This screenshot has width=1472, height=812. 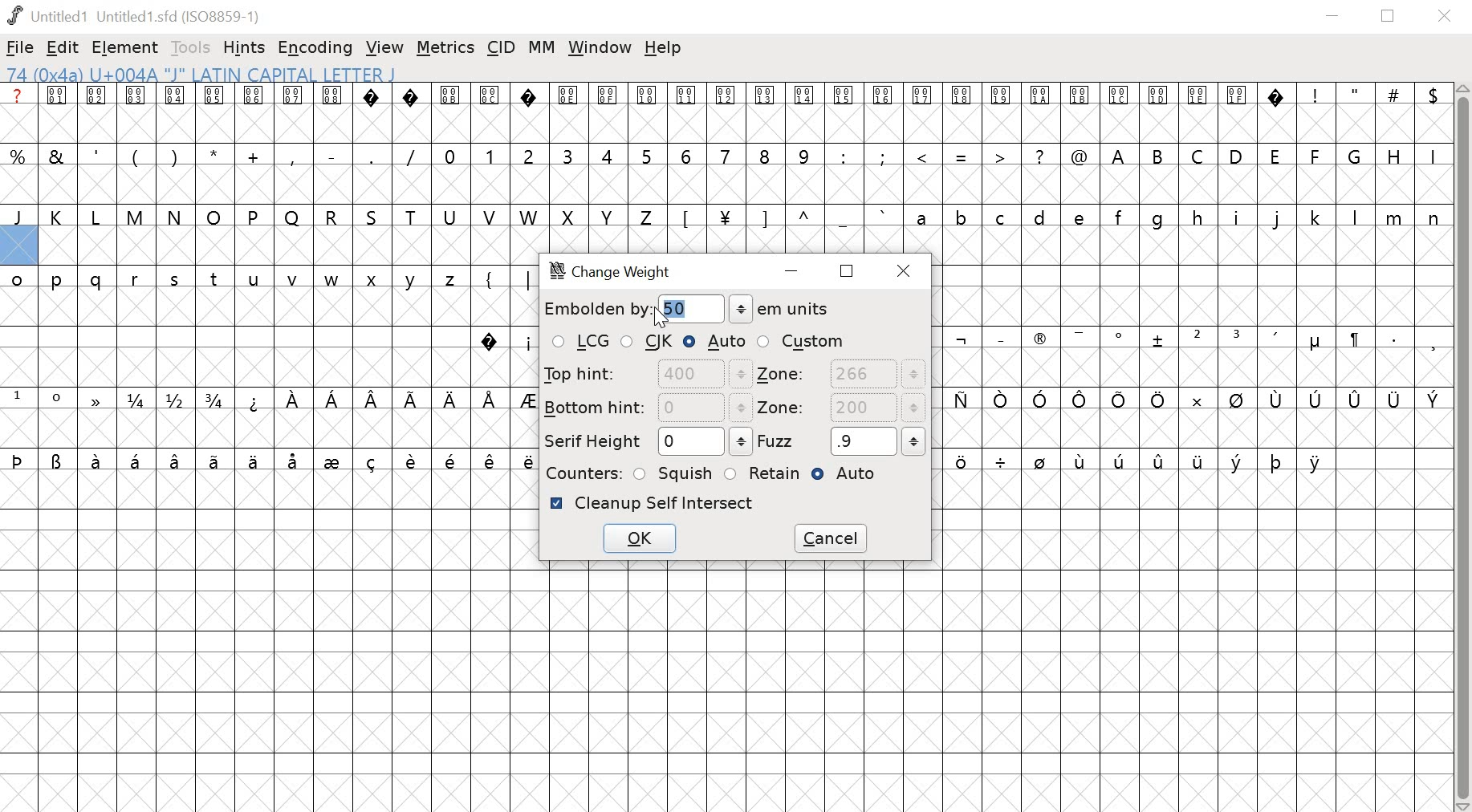 I want to click on symbols, so click(x=1190, y=400).